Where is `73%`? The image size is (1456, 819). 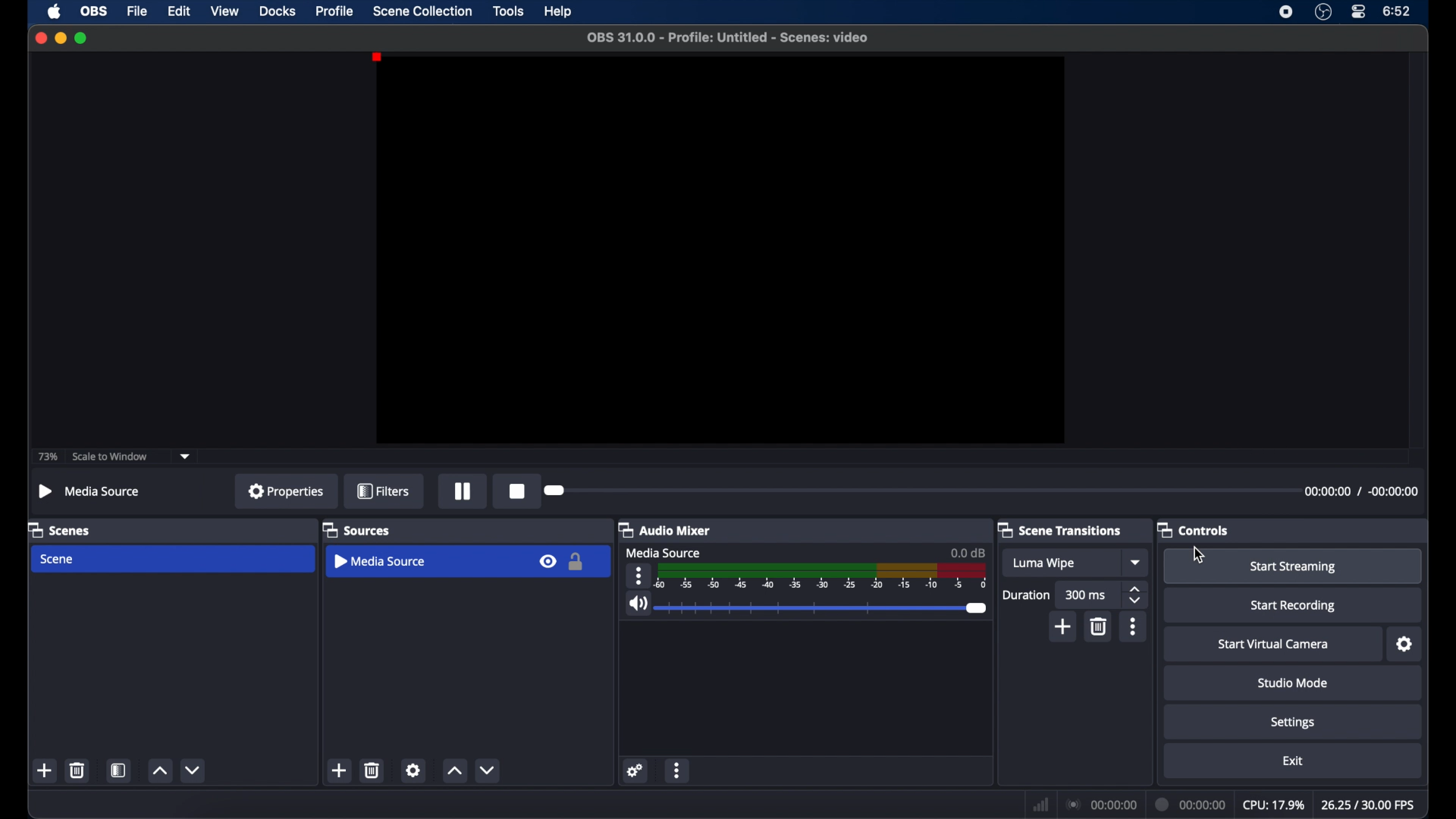 73% is located at coordinates (49, 456).